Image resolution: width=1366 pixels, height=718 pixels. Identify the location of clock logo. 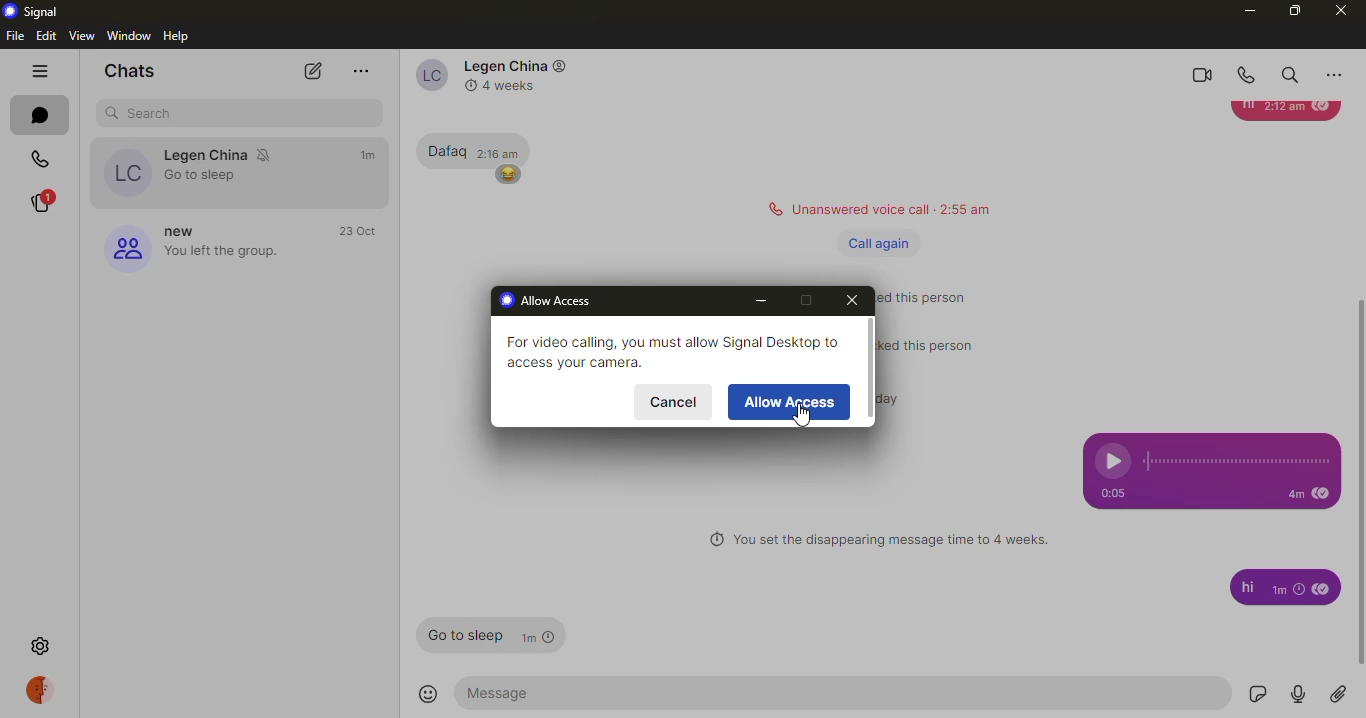
(711, 541).